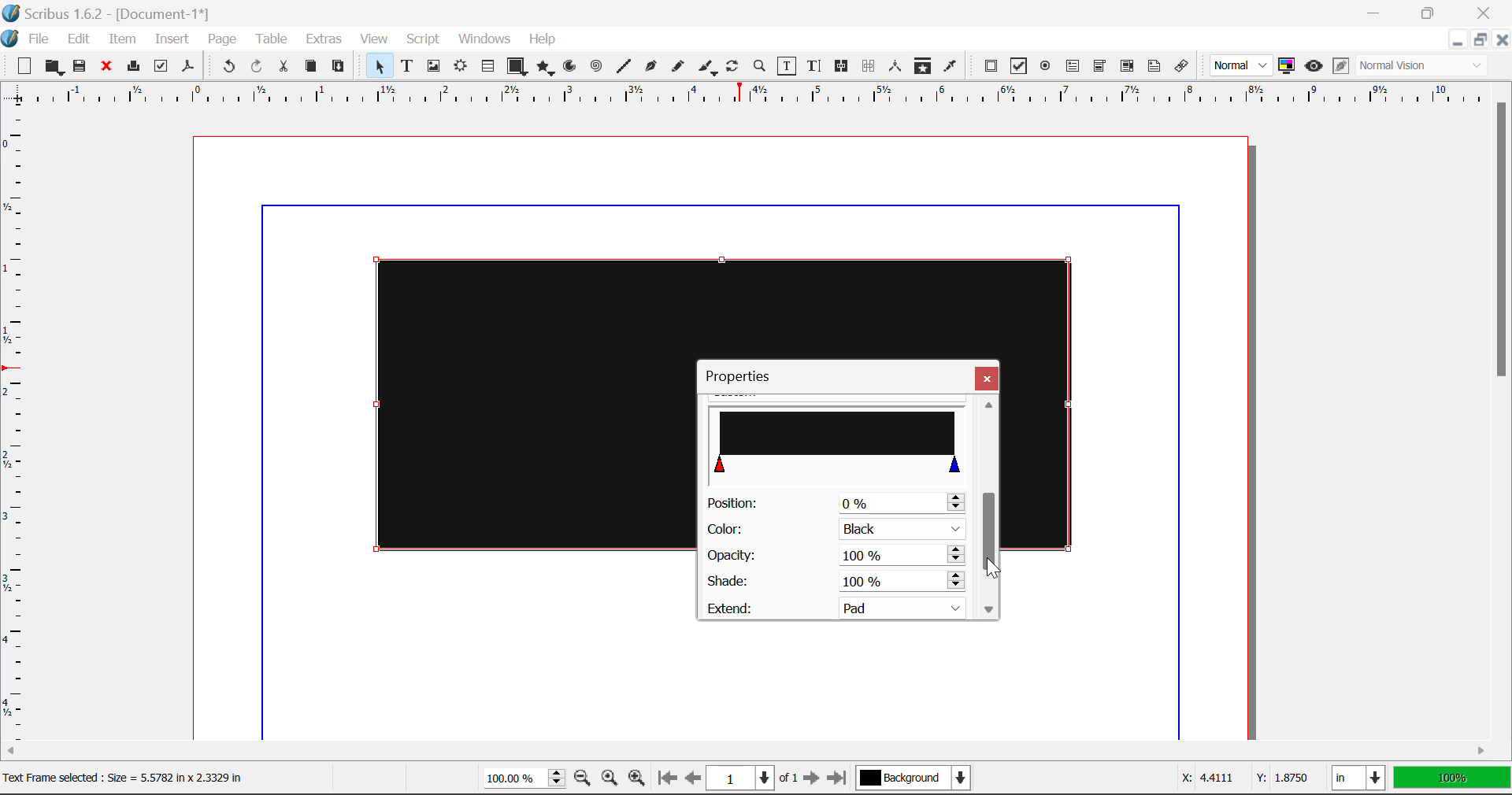 The width and height of the screenshot is (1512, 795). I want to click on Scribus 1.6.2 - [Document-1*], so click(106, 13).